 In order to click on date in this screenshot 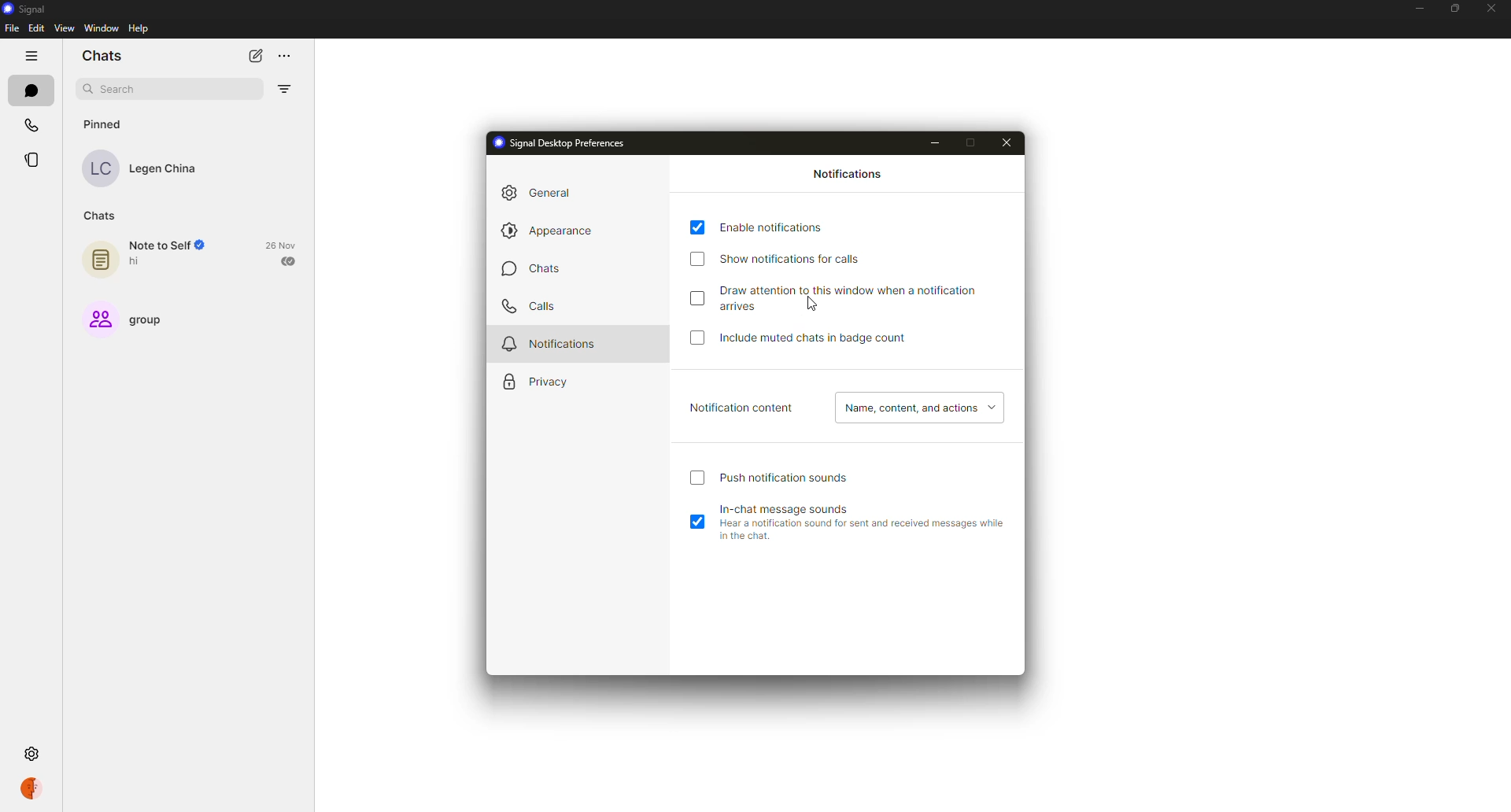, I will do `click(283, 245)`.